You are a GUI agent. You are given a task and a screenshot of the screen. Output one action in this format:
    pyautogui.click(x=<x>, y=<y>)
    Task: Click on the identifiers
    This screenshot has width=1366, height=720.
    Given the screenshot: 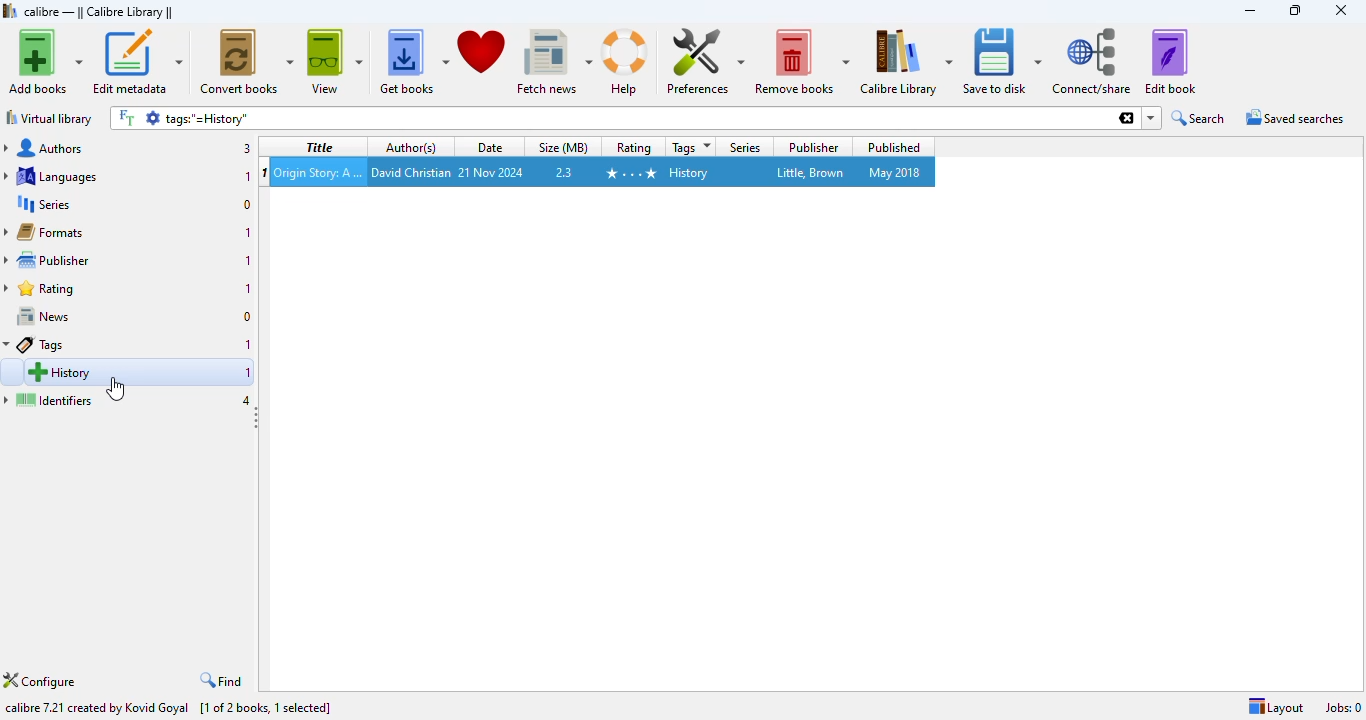 What is the action you would take?
    pyautogui.click(x=49, y=400)
    